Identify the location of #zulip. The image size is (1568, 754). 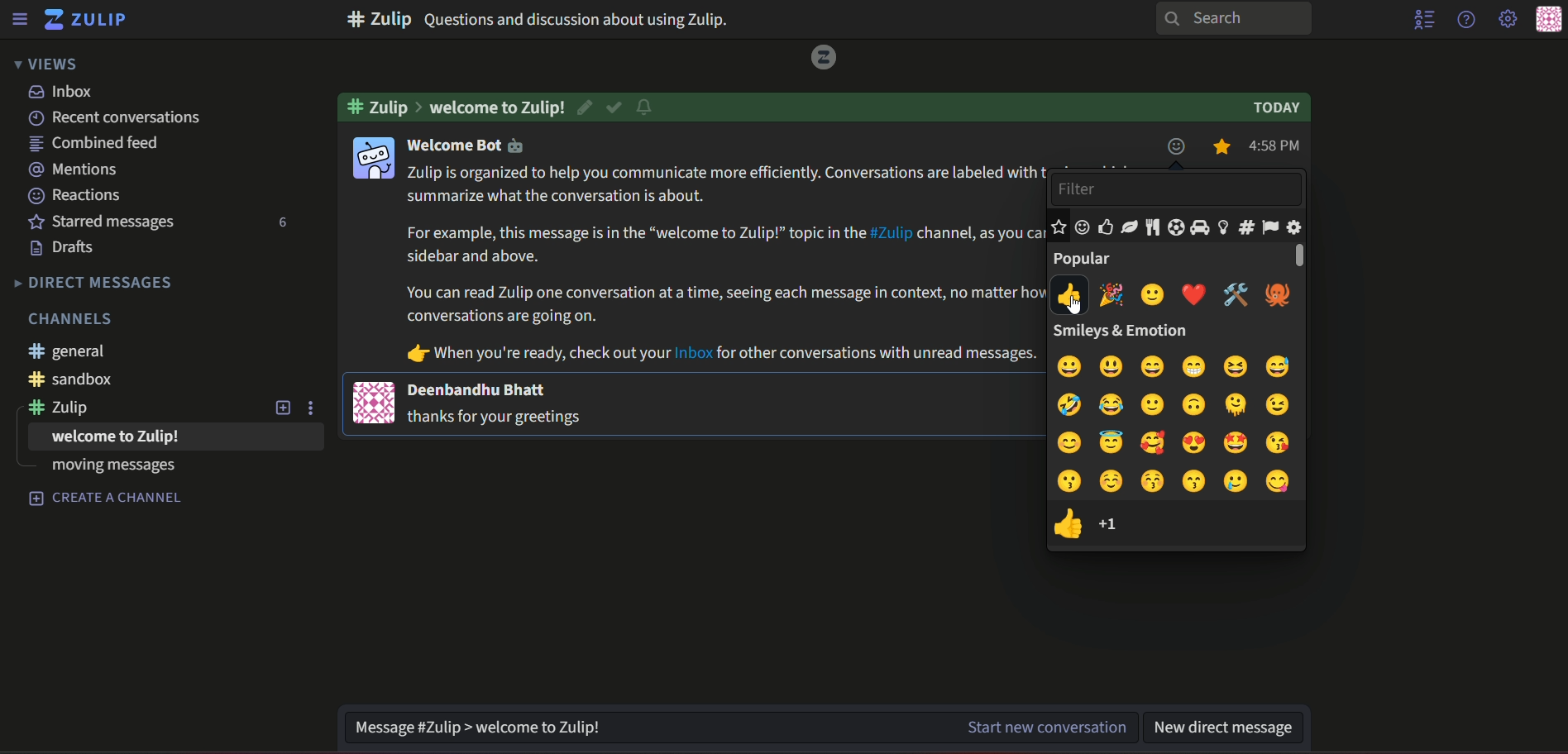
(64, 408).